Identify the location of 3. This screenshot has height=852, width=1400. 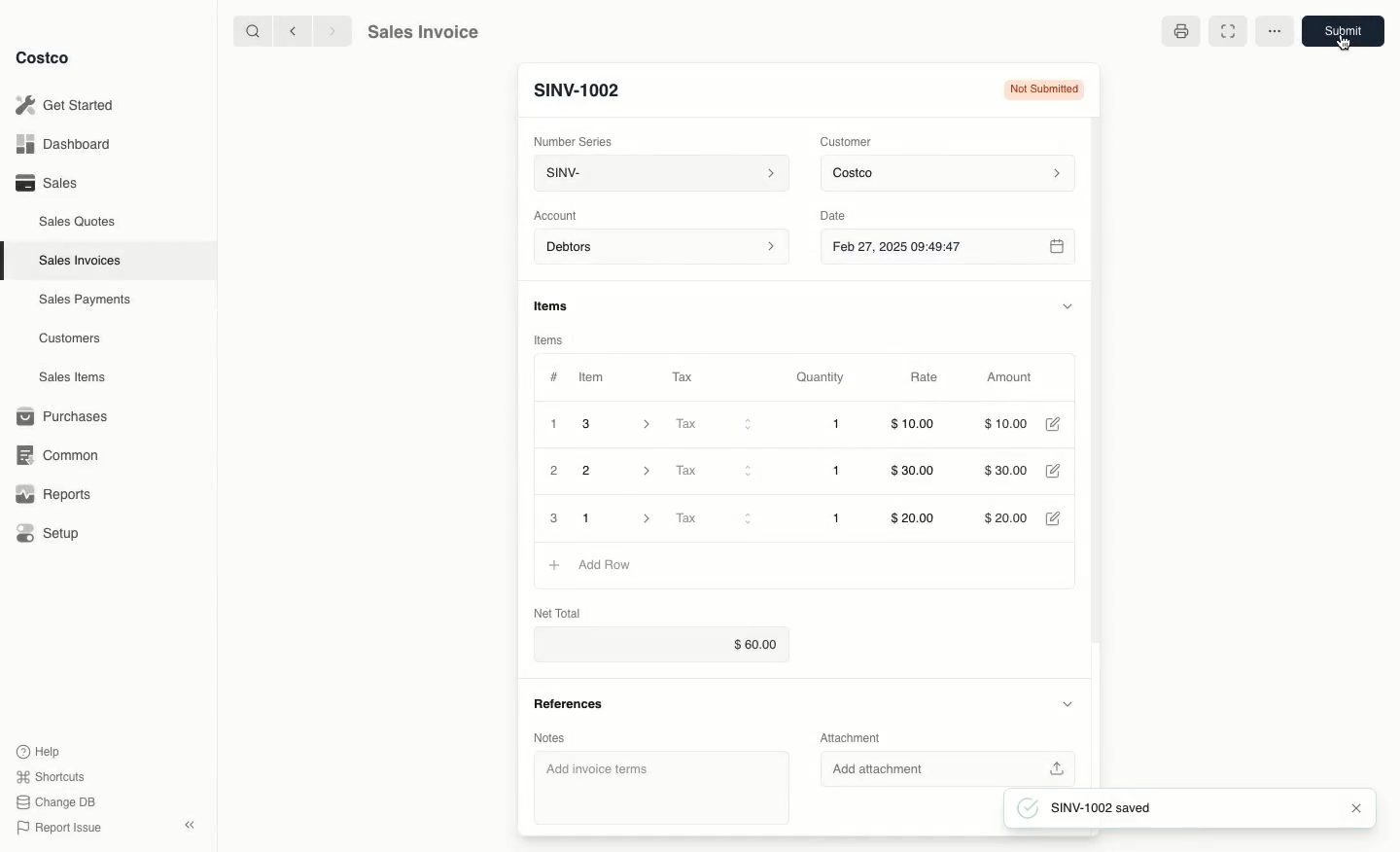
(552, 518).